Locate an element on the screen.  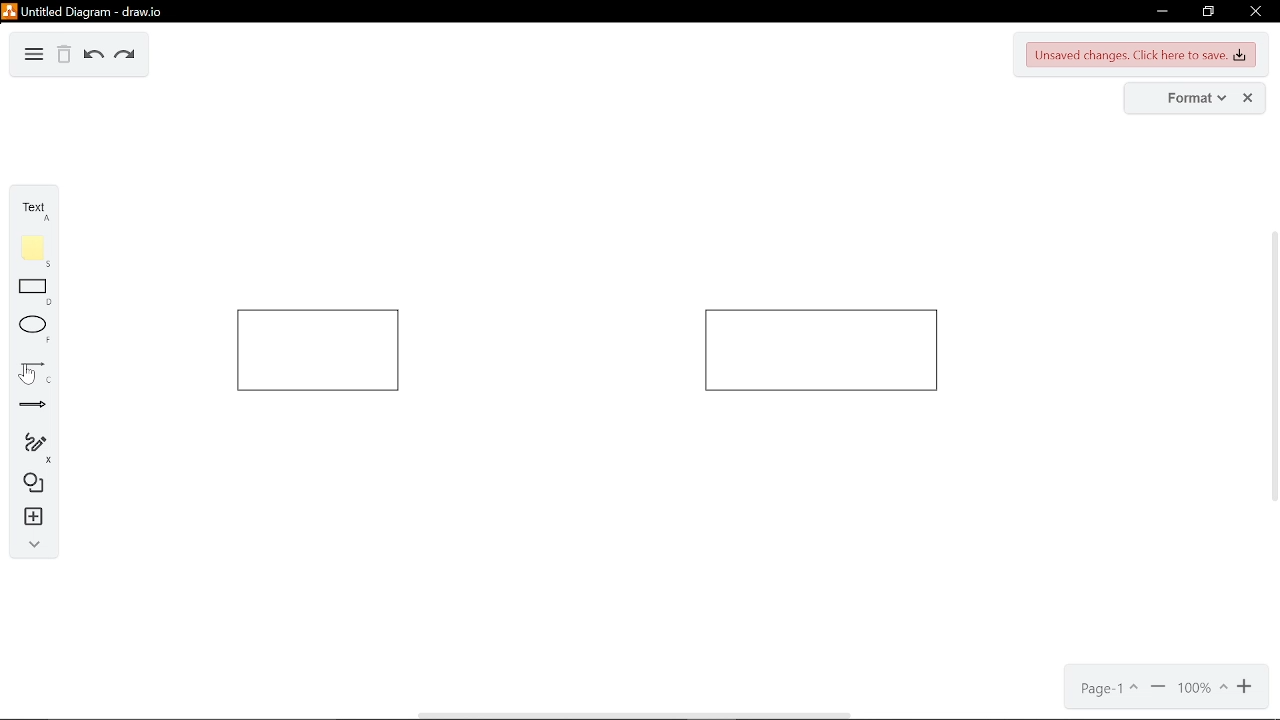
rectangle 1 is located at coordinates (318, 351).